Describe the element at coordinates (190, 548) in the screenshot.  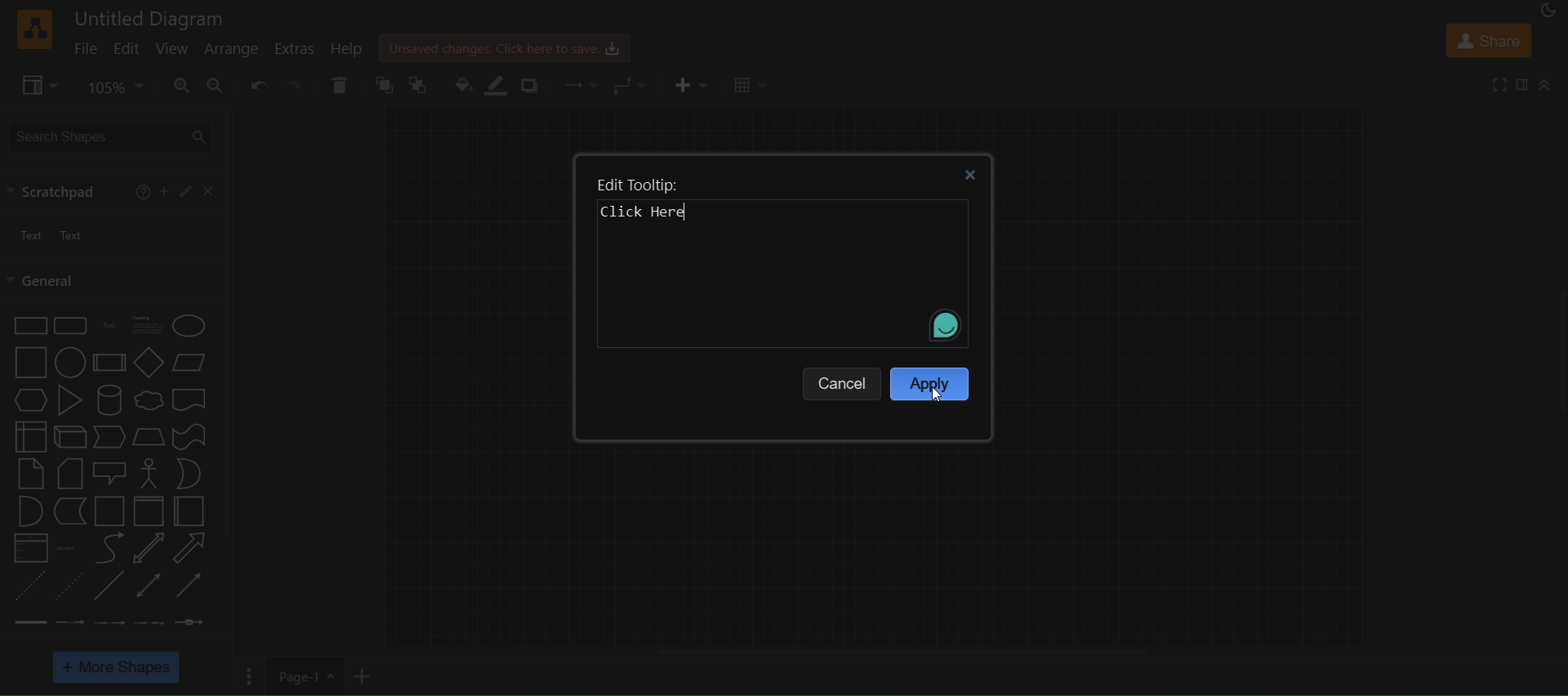
I see `arrow` at that location.